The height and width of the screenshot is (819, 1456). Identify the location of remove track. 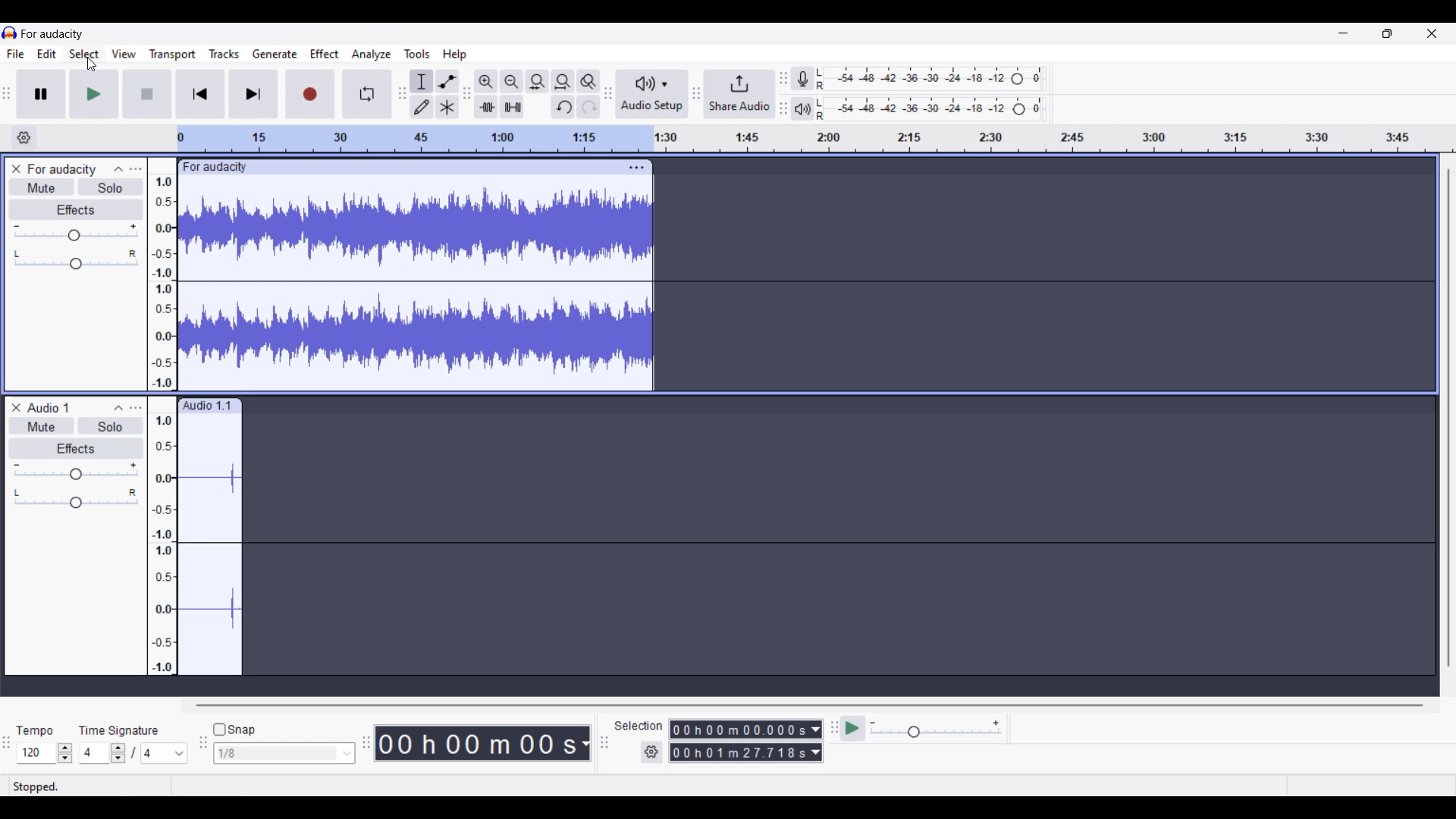
(16, 408).